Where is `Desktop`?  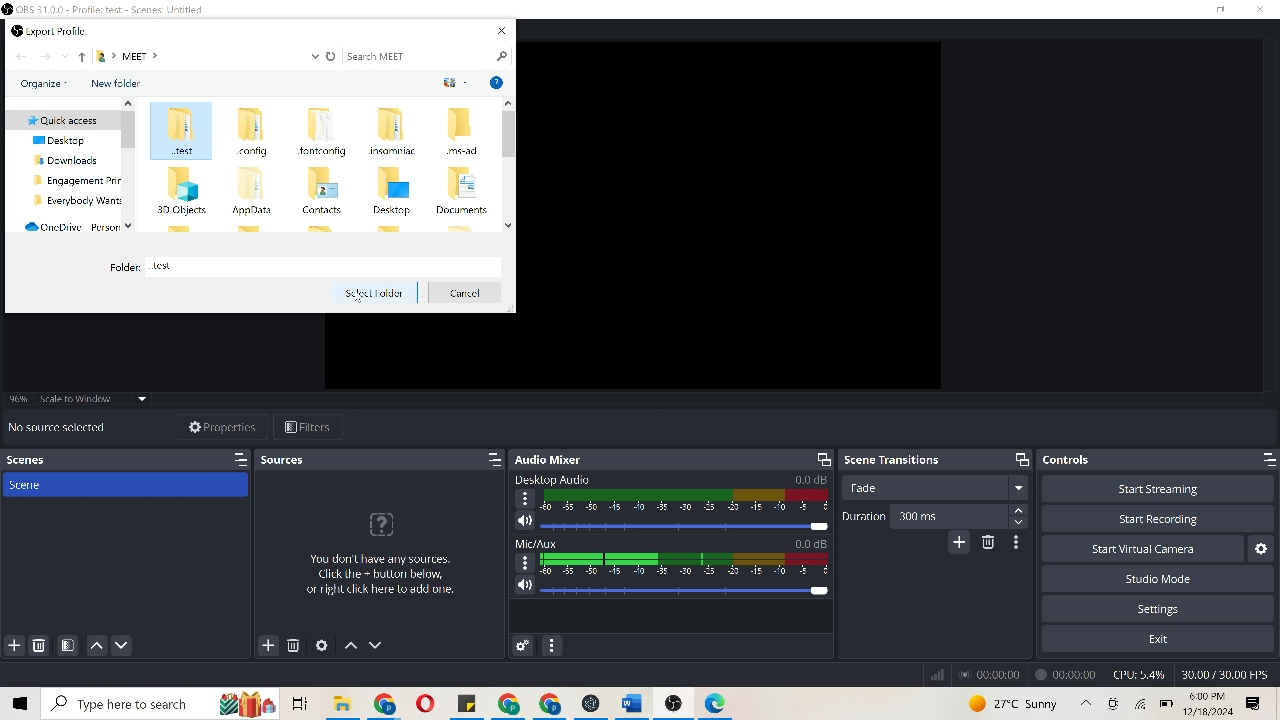
Desktop is located at coordinates (395, 191).